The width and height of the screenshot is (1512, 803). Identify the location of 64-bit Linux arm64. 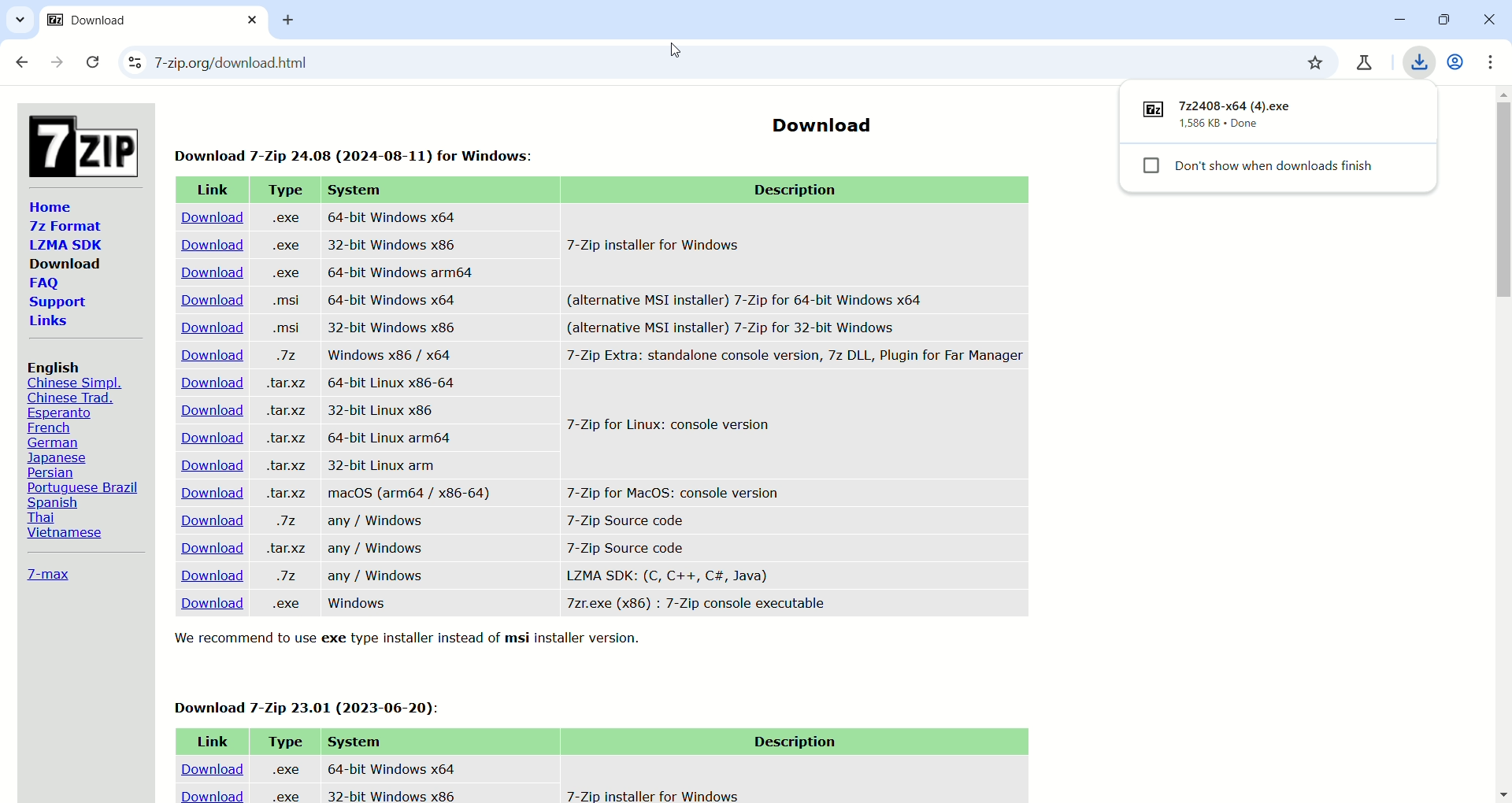
(385, 437).